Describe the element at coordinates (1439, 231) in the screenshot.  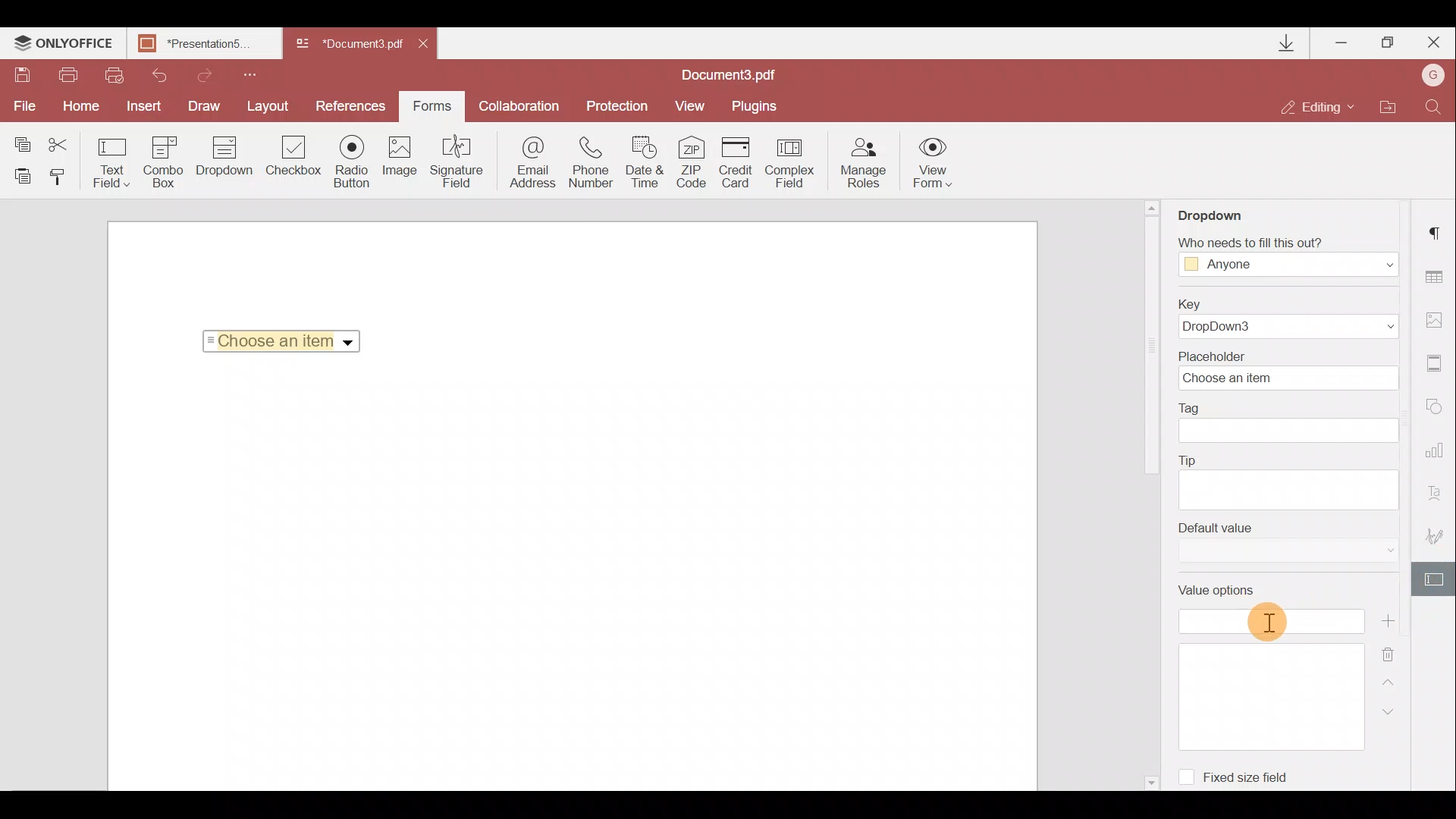
I see `Paragraph settings` at that location.